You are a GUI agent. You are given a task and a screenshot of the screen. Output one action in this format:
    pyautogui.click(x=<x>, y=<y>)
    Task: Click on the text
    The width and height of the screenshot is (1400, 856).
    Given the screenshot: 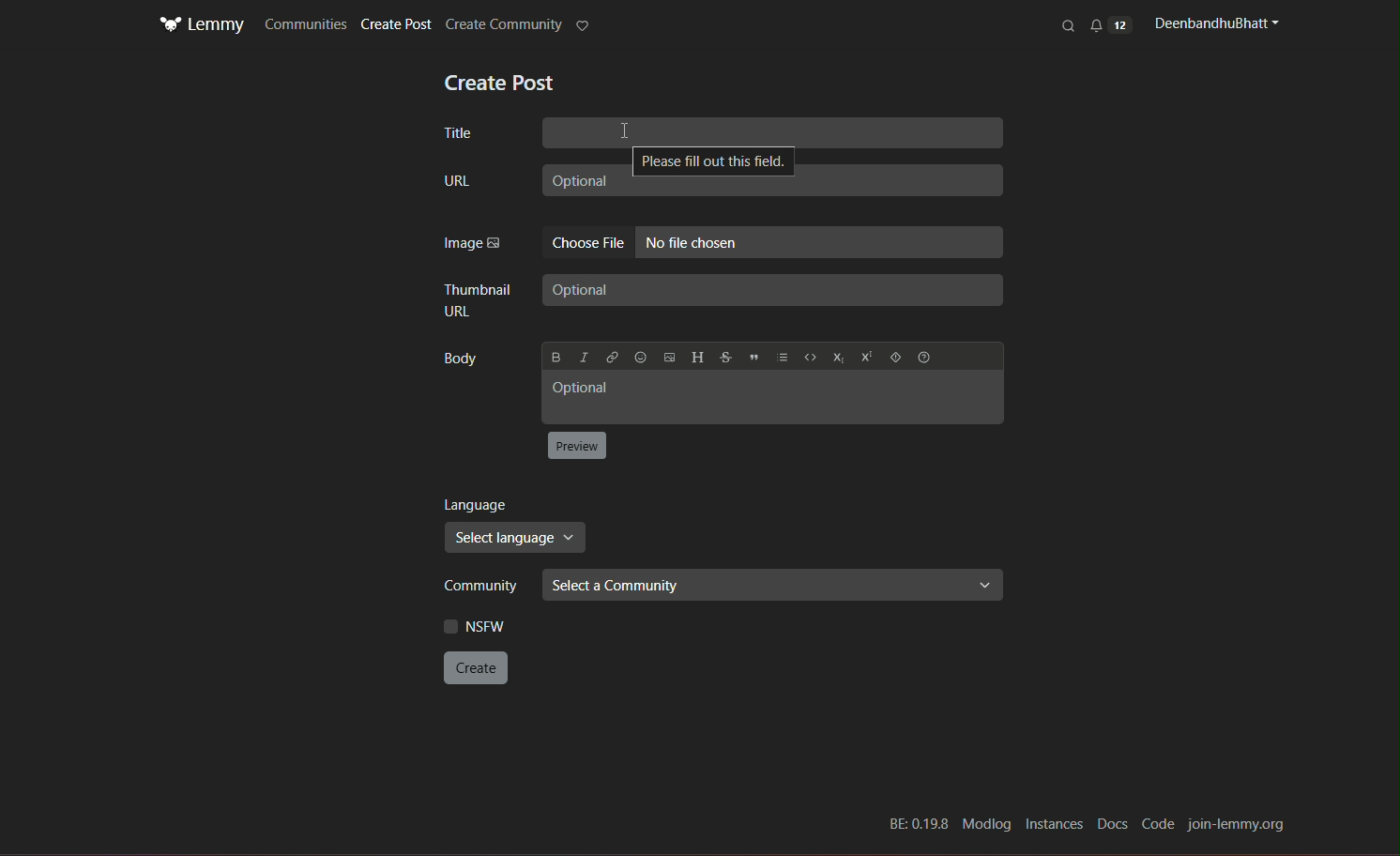 What is the action you would take?
    pyautogui.click(x=500, y=84)
    